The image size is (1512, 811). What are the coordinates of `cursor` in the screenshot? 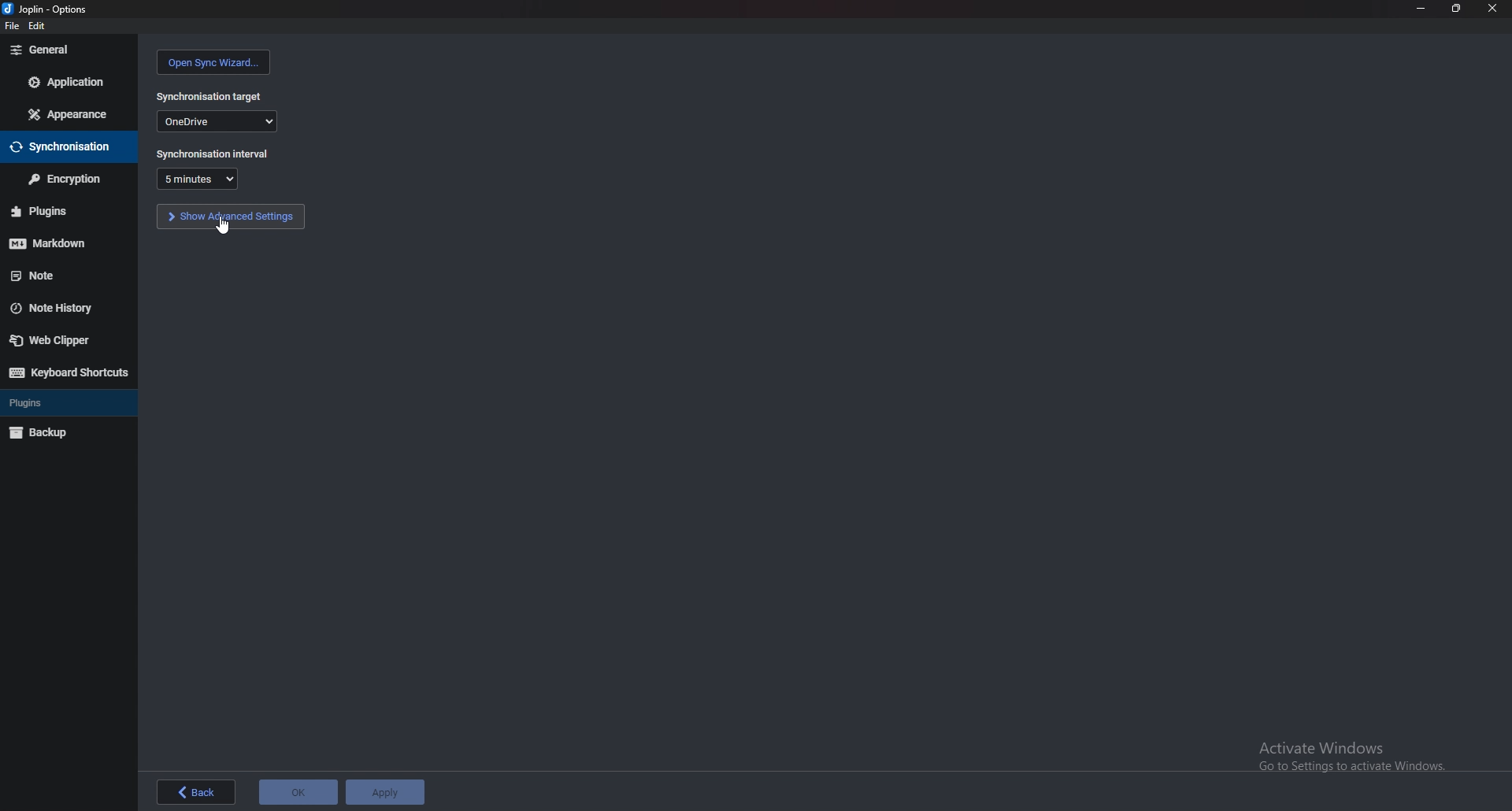 It's located at (224, 226).